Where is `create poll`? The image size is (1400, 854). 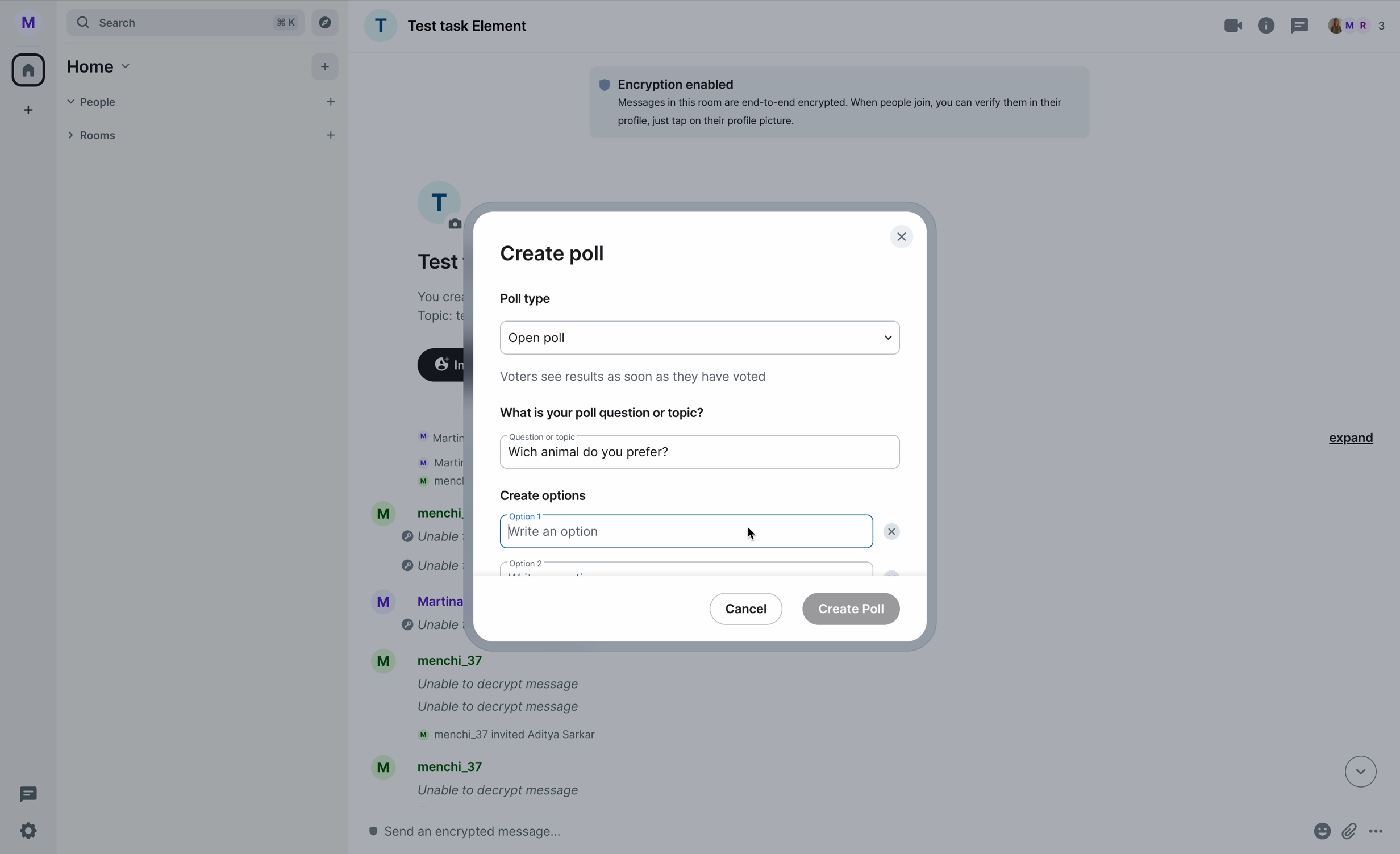
create poll is located at coordinates (553, 253).